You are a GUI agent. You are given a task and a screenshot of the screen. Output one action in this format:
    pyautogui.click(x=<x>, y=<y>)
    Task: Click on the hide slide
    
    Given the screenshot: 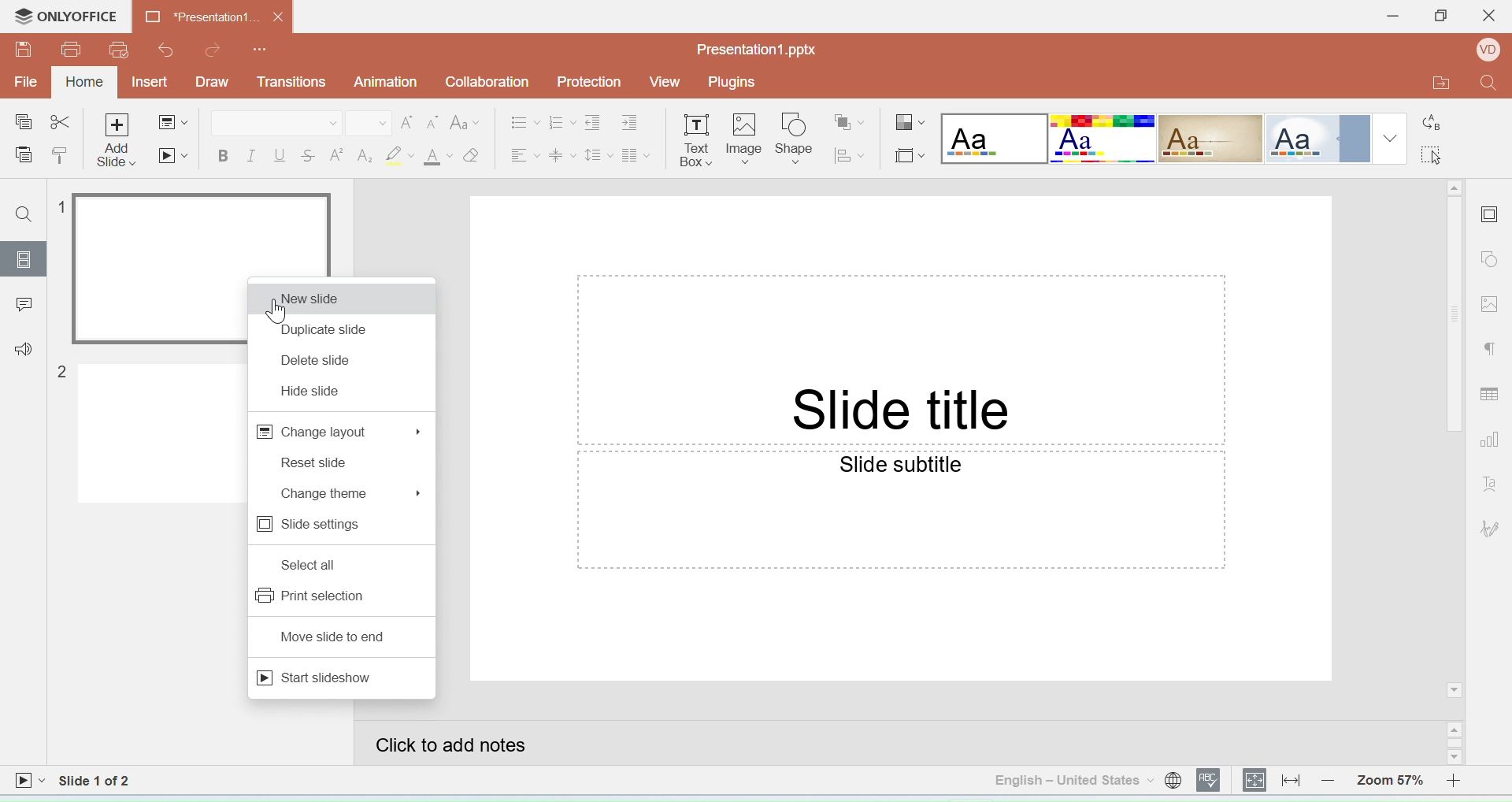 What is the action you would take?
    pyautogui.click(x=311, y=390)
    